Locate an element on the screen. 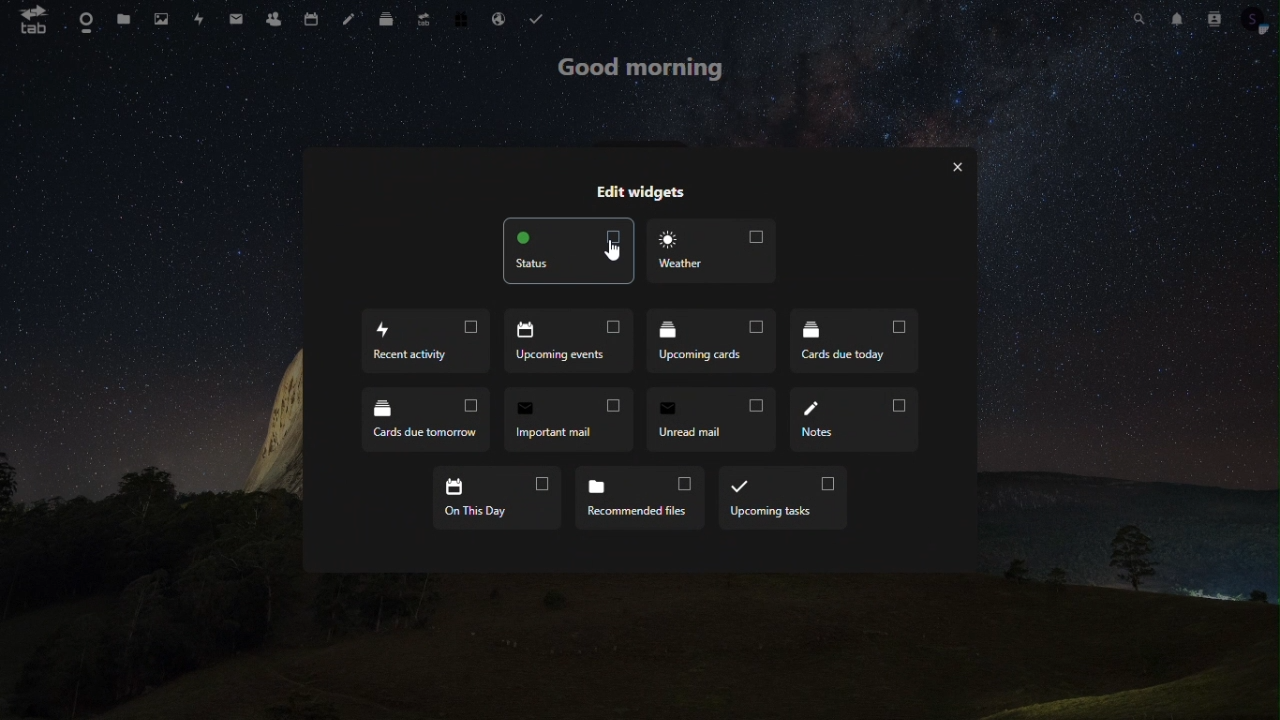  tab is located at coordinates (28, 20).